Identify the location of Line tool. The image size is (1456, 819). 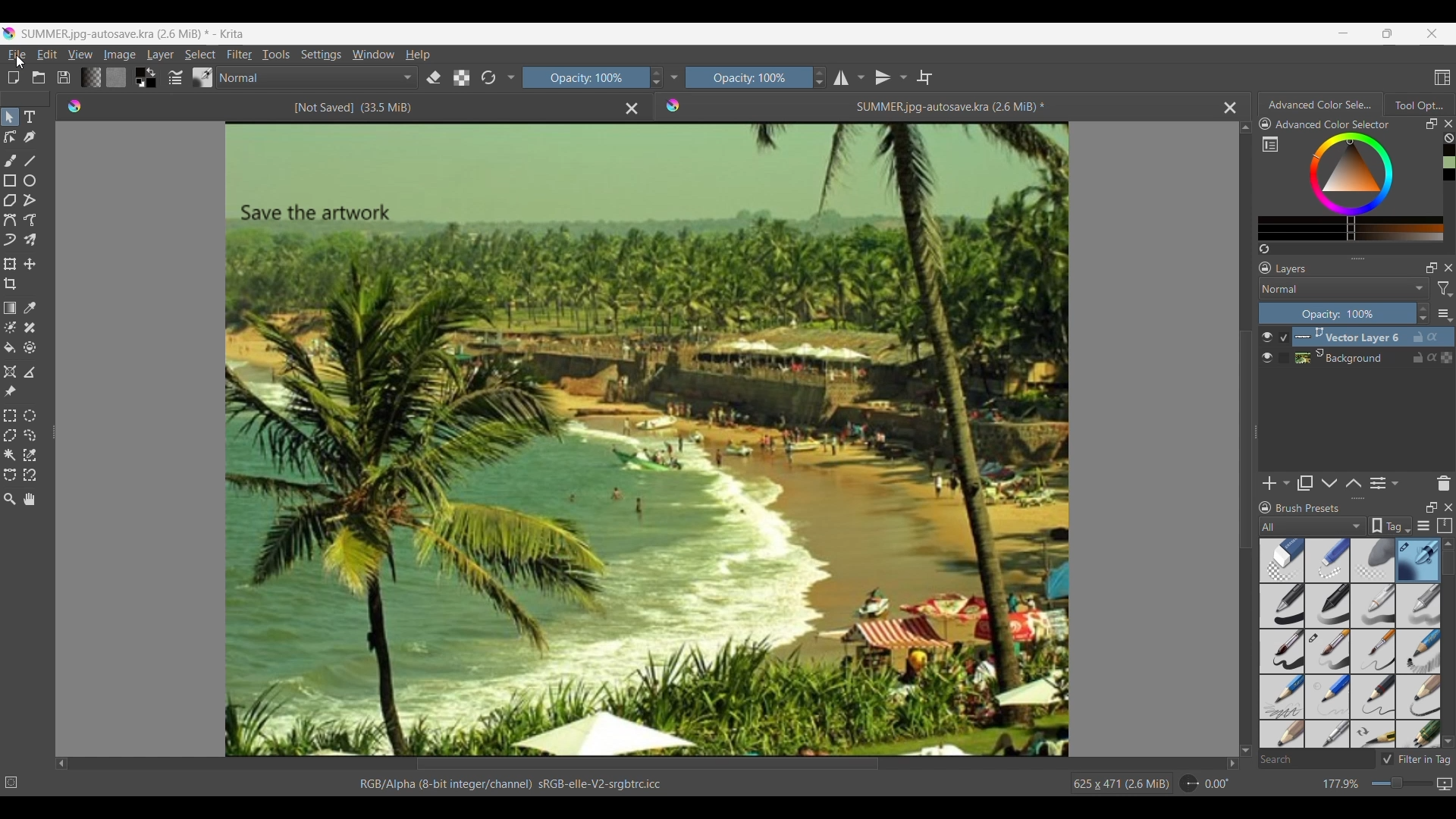
(30, 161).